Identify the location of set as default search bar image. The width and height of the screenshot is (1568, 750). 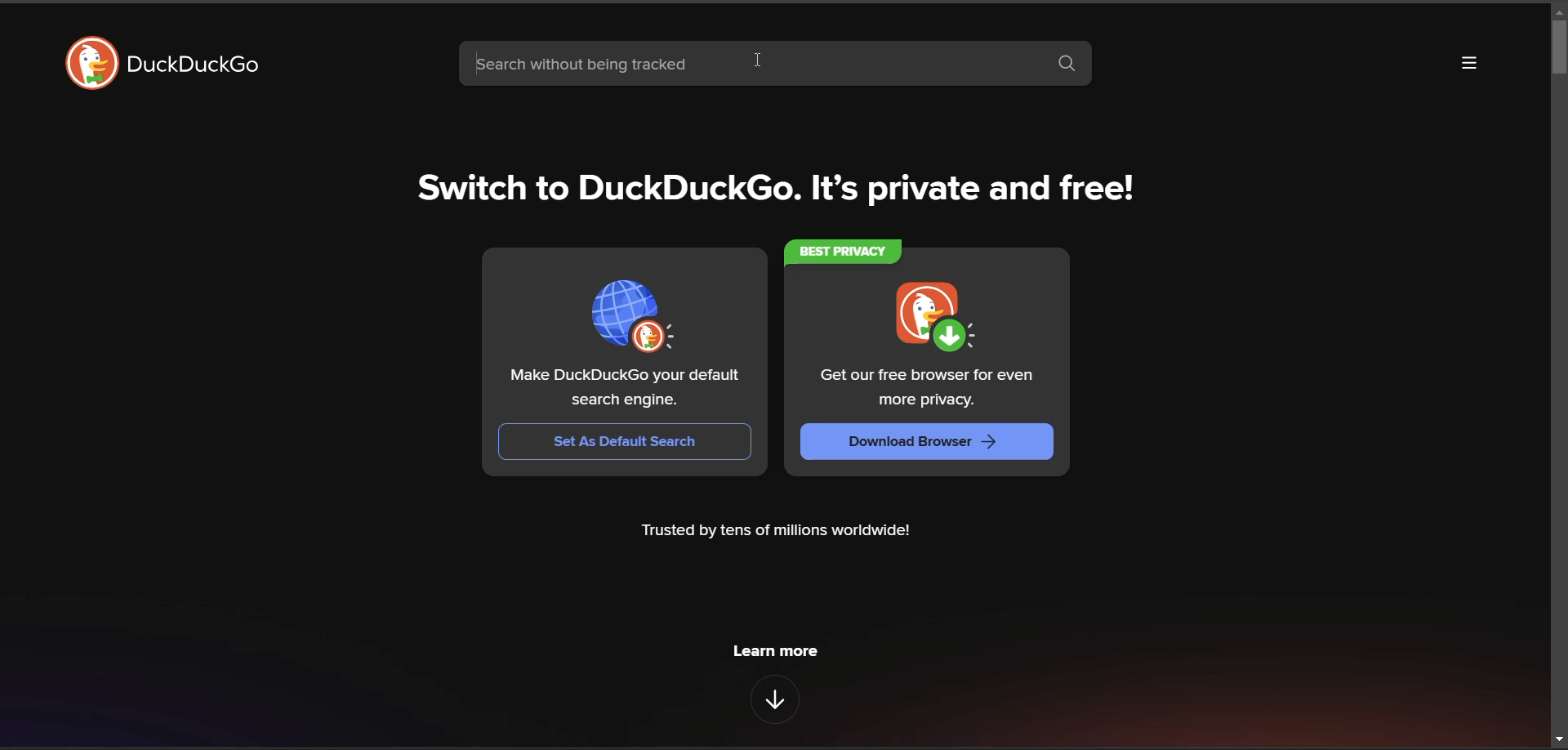
(631, 314).